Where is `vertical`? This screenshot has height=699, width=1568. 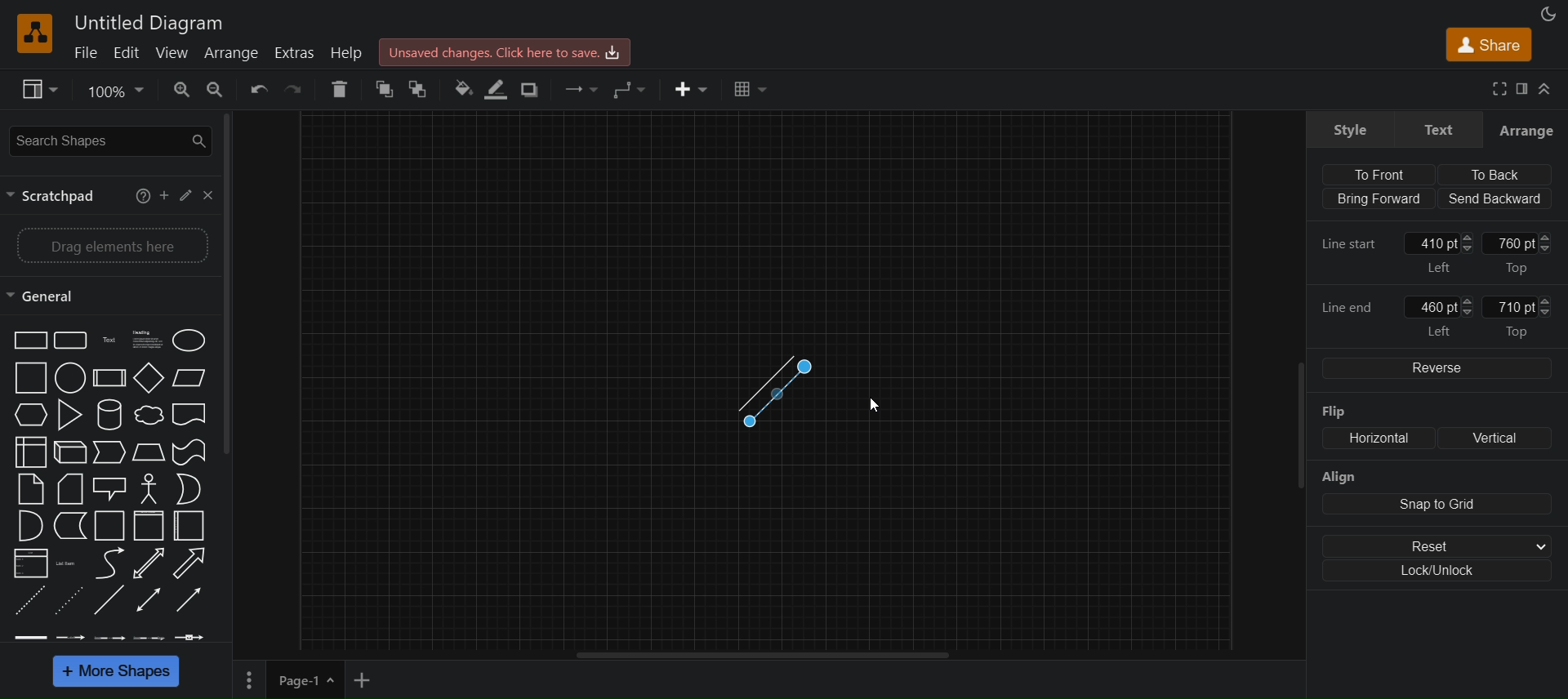 vertical is located at coordinates (1493, 438).